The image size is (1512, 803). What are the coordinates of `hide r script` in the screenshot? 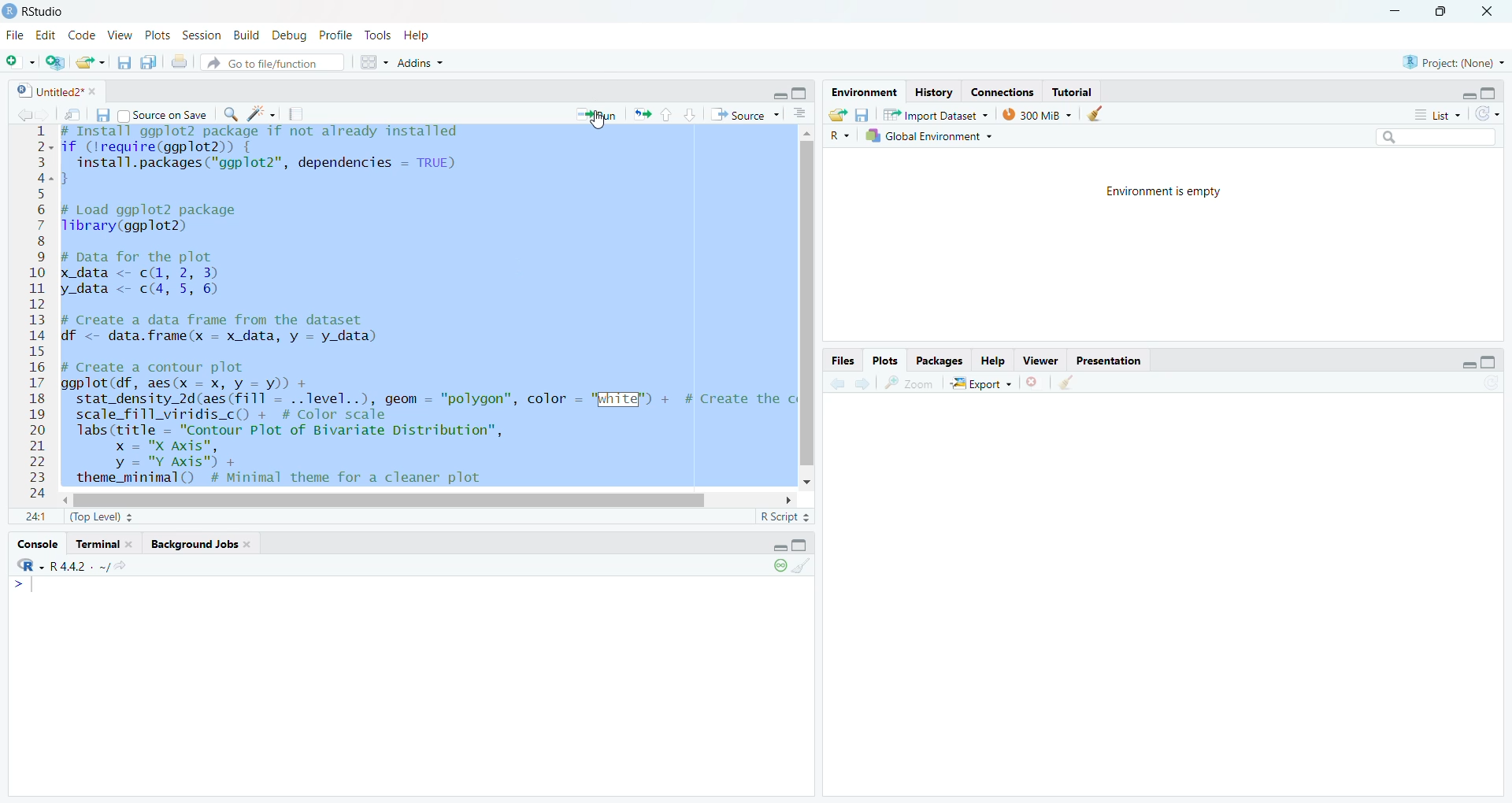 It's located at (777, 545).